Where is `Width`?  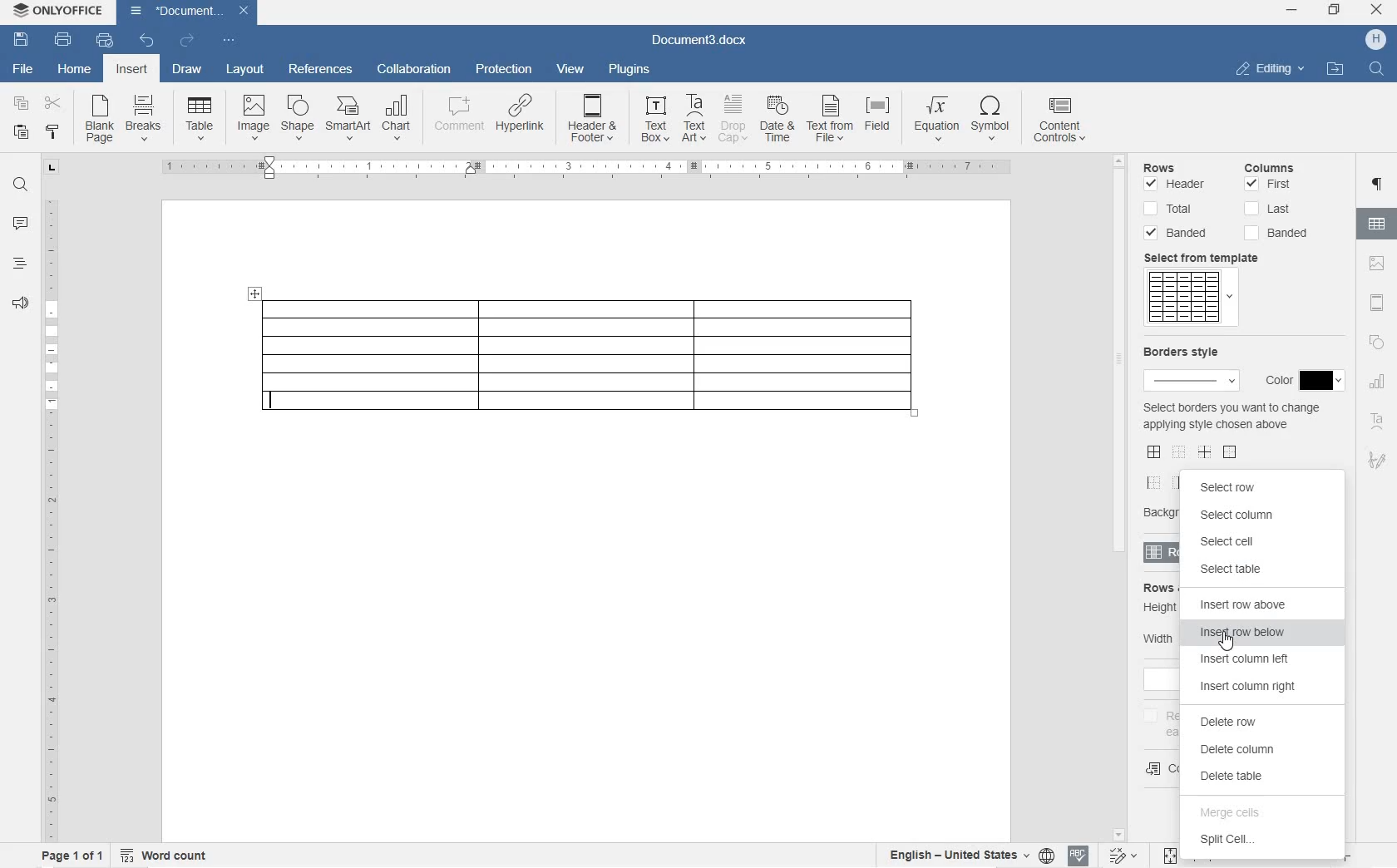 Width is located at coordinates (1159, 638).